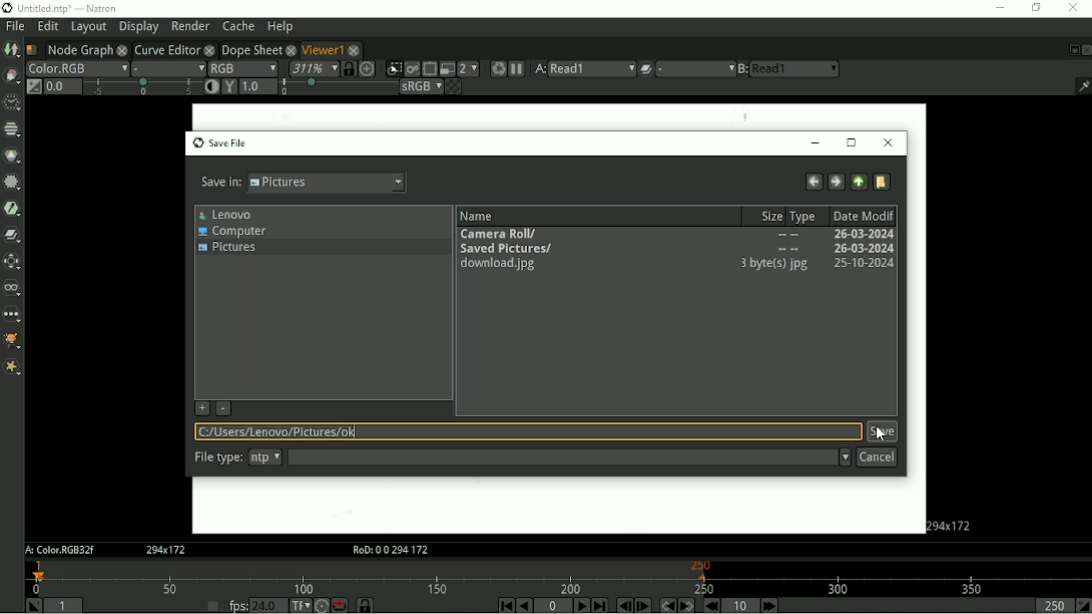 Image resolution: width=1092 pixels, height=614 pixels. What do you see at coordinates (13, 130) in the screenshot?
I see `Channel` at bounding box center [13, 130].